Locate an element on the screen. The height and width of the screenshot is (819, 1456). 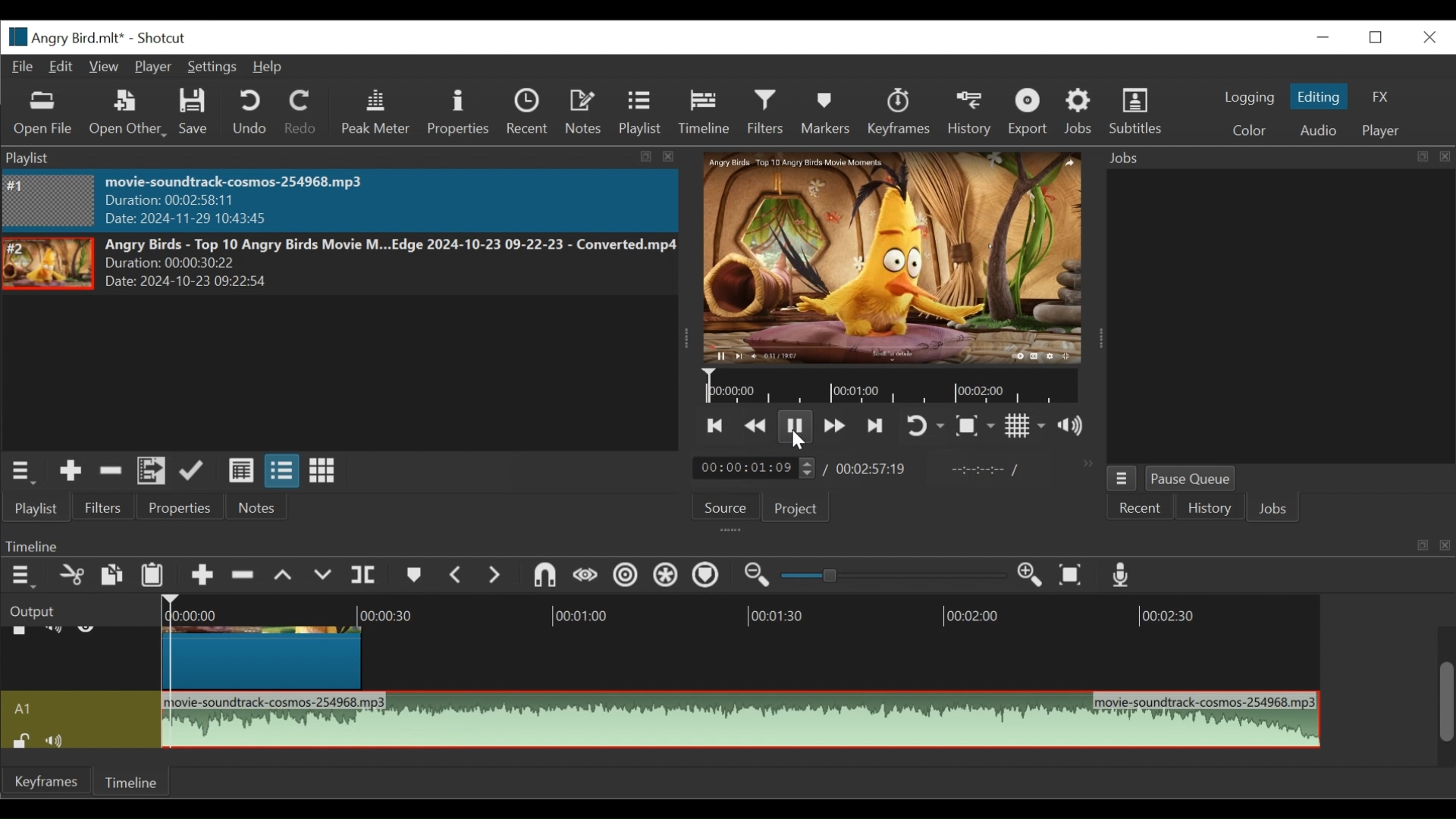
 is located at coordinates (1040, 517).